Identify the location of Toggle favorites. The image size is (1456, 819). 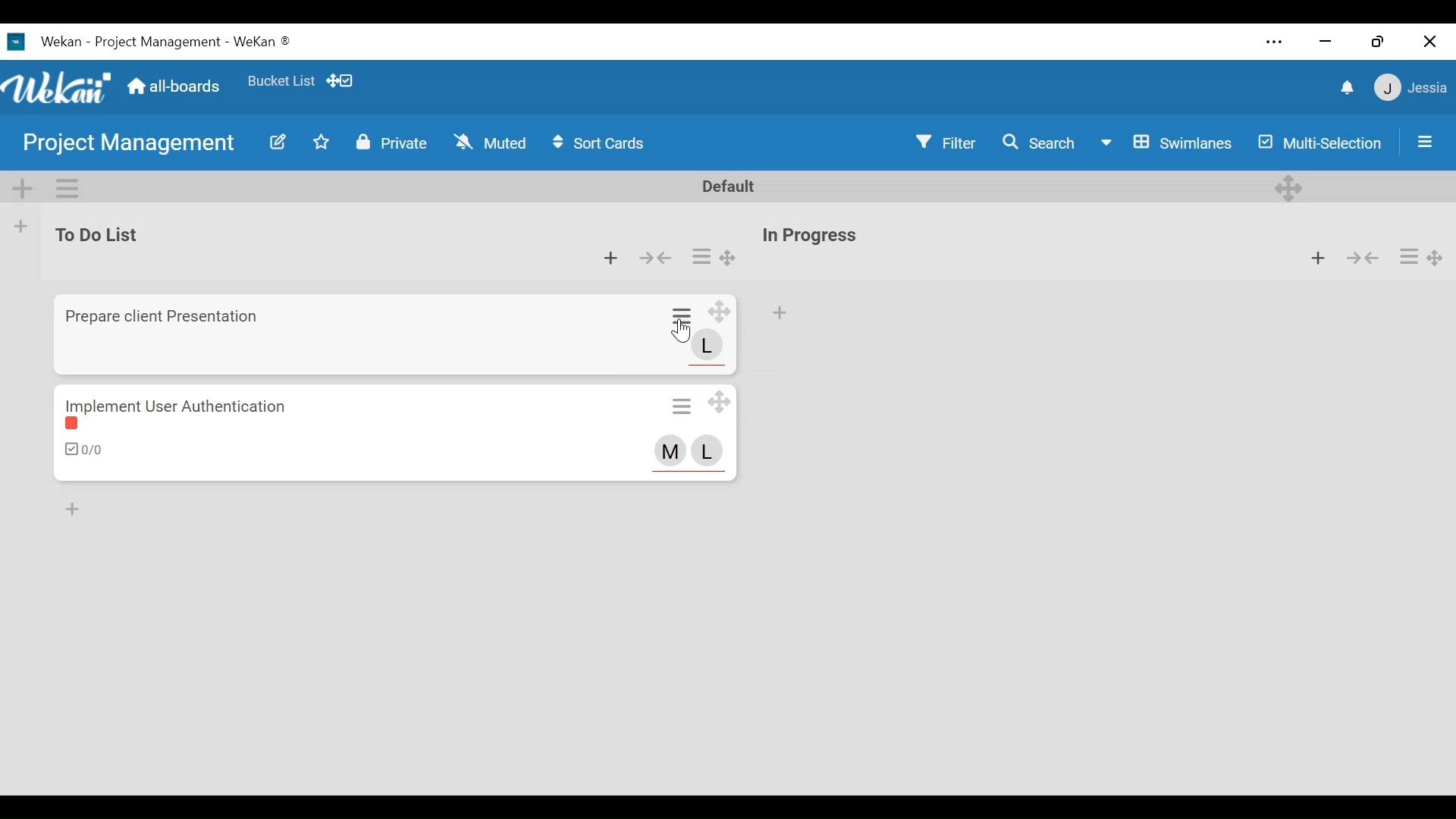
(322, 141).